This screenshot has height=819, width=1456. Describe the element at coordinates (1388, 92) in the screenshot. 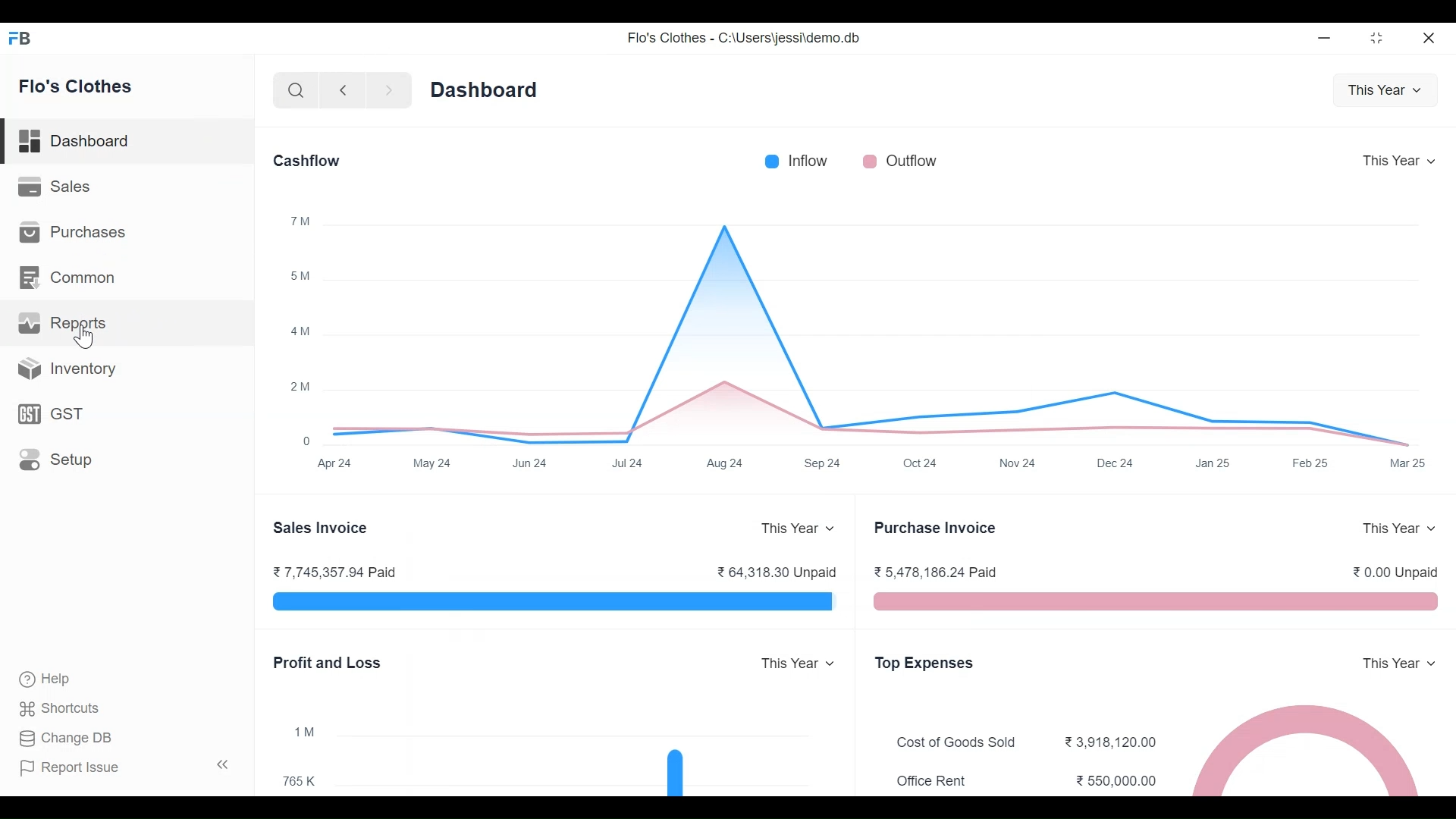

I see `This Year ` at that location.